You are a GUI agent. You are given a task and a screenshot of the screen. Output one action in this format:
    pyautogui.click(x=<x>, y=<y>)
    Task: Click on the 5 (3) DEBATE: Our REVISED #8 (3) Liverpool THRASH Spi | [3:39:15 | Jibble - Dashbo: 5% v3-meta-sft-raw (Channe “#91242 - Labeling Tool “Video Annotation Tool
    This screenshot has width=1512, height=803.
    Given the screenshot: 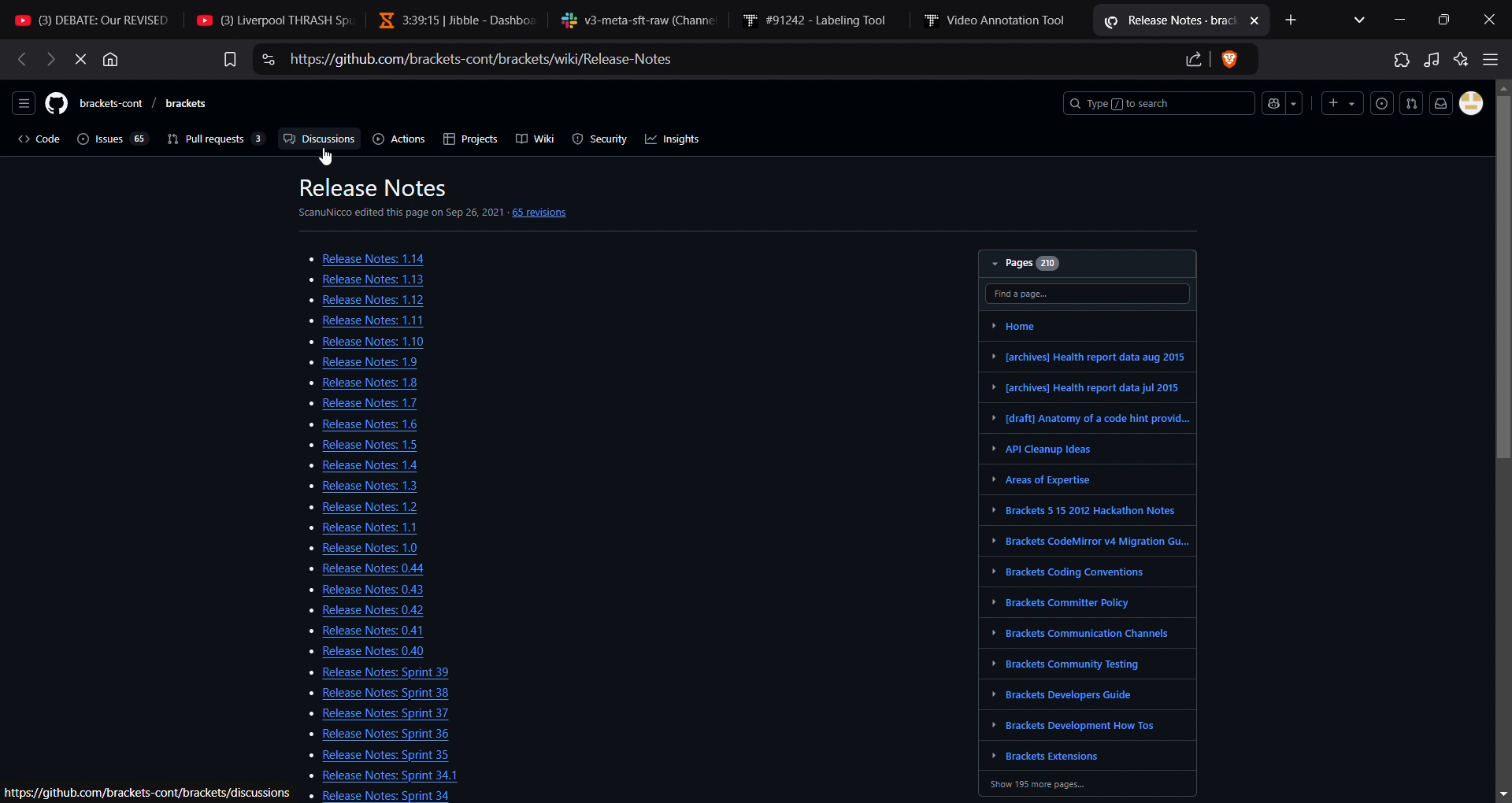 What is the action you would take?
    pyautogui.click(x=541, y=18)
    